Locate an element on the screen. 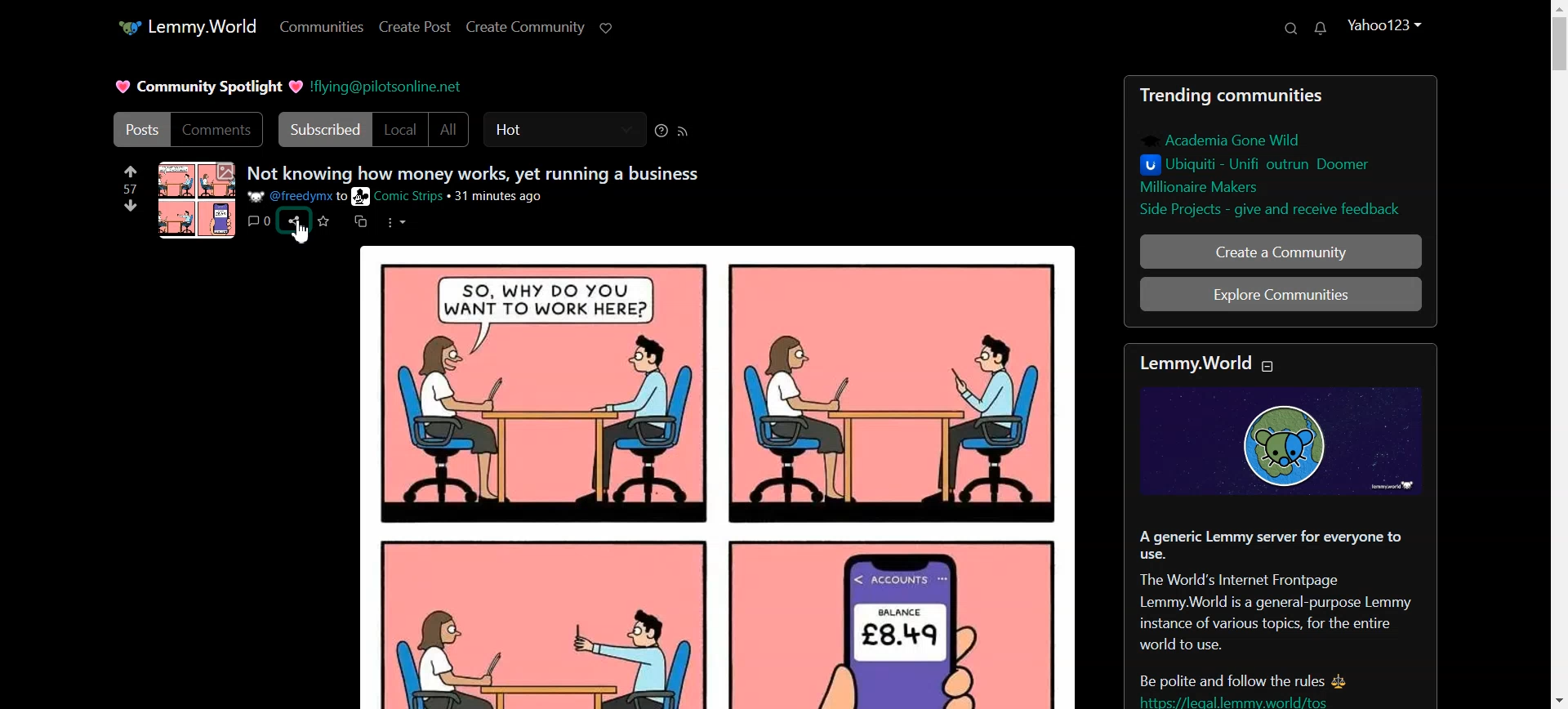 This screenshot has width=1568, height=709. Home Page is located at coordinates (186, 28).